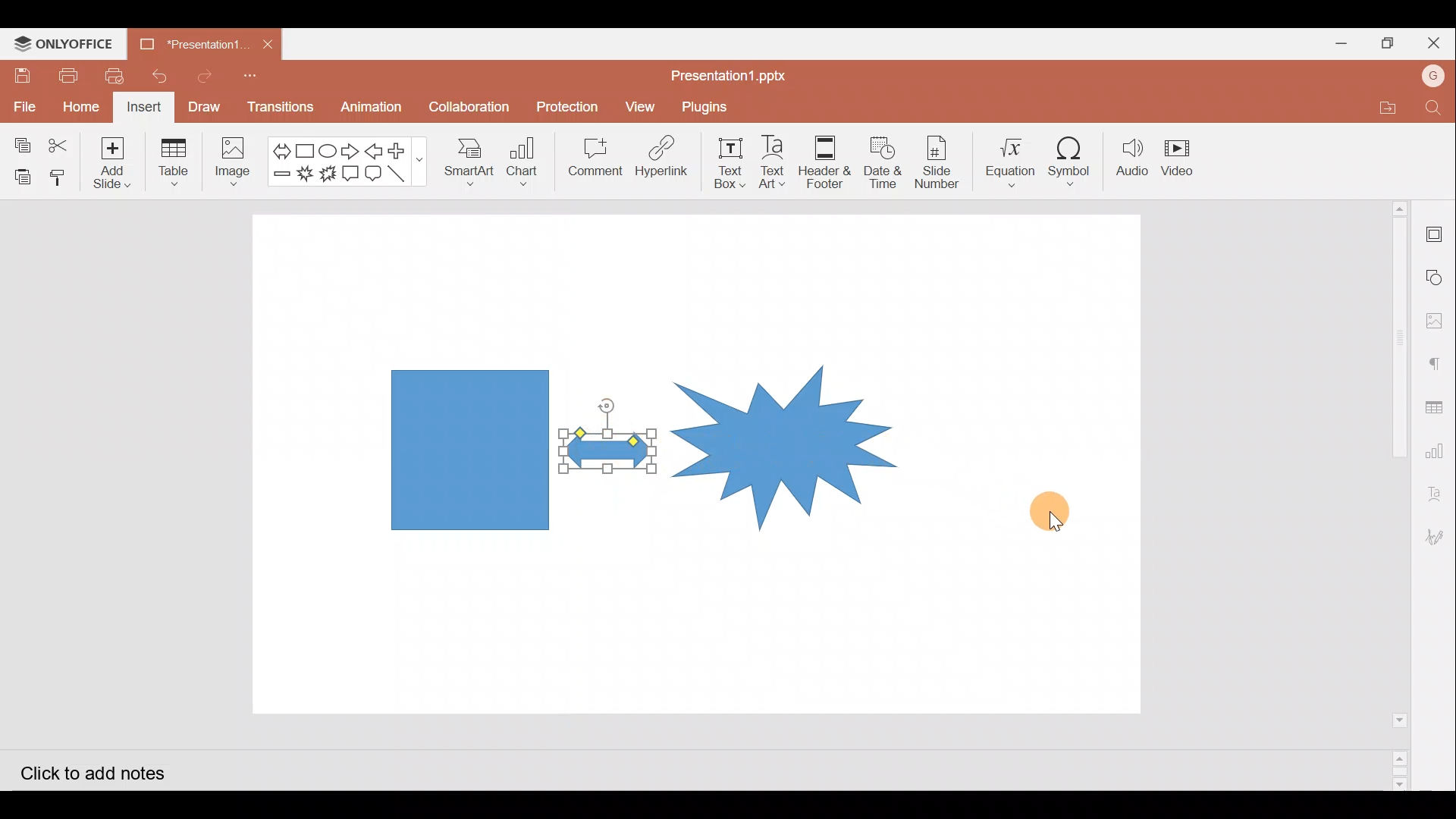 The image size is (1456, 819). What do you see at coordinates (21, 173) in the screenshot?
I see `Paste` at bounding box center [21, 173].